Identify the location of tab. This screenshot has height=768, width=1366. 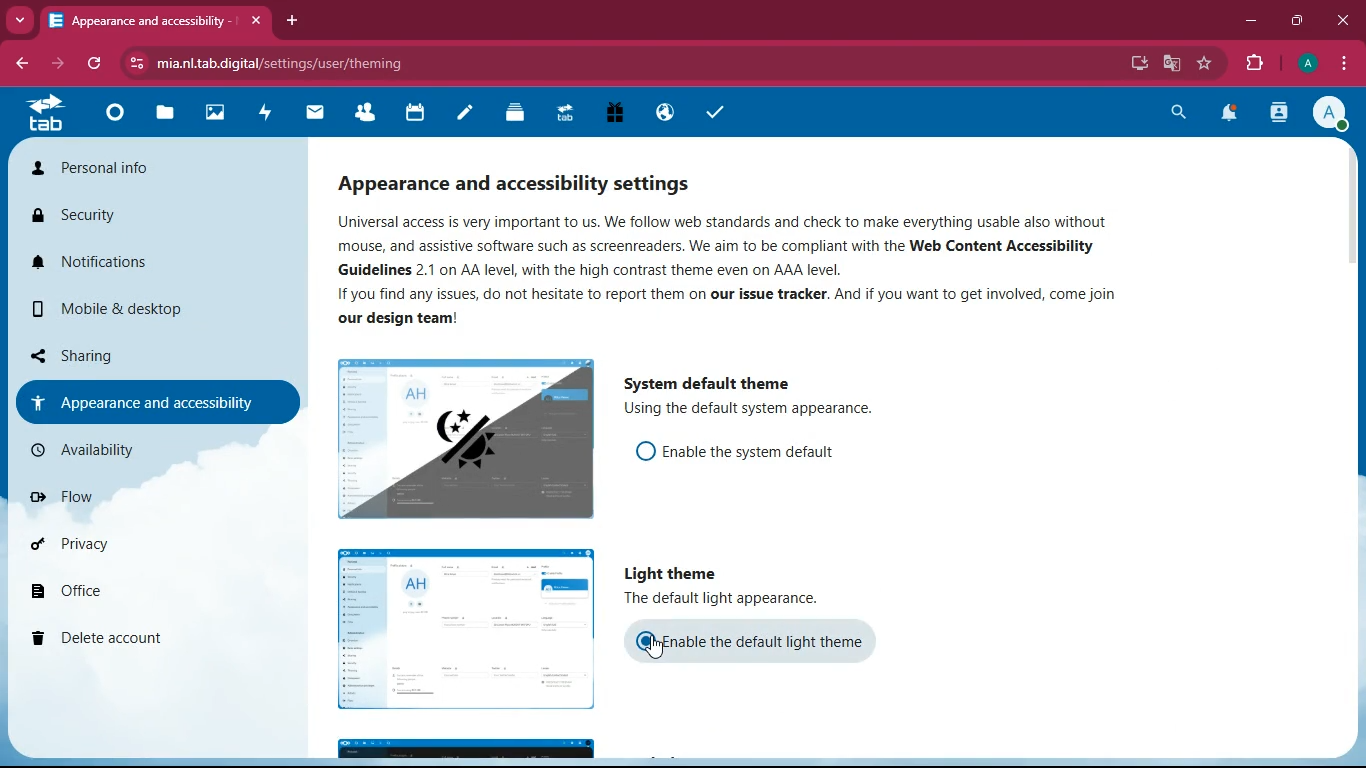
(43, 117).